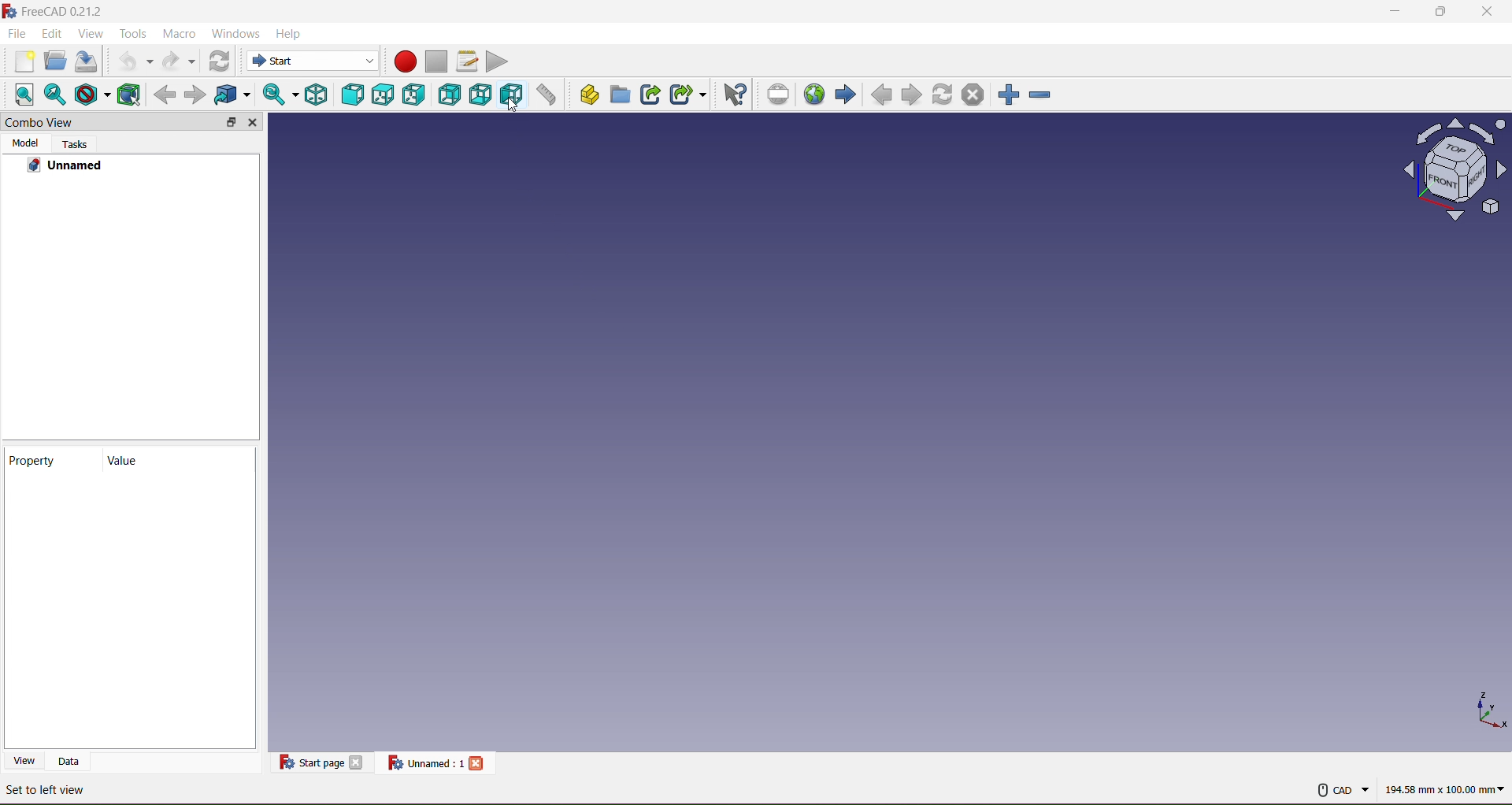  I want to click on Help, so click(288, 32).